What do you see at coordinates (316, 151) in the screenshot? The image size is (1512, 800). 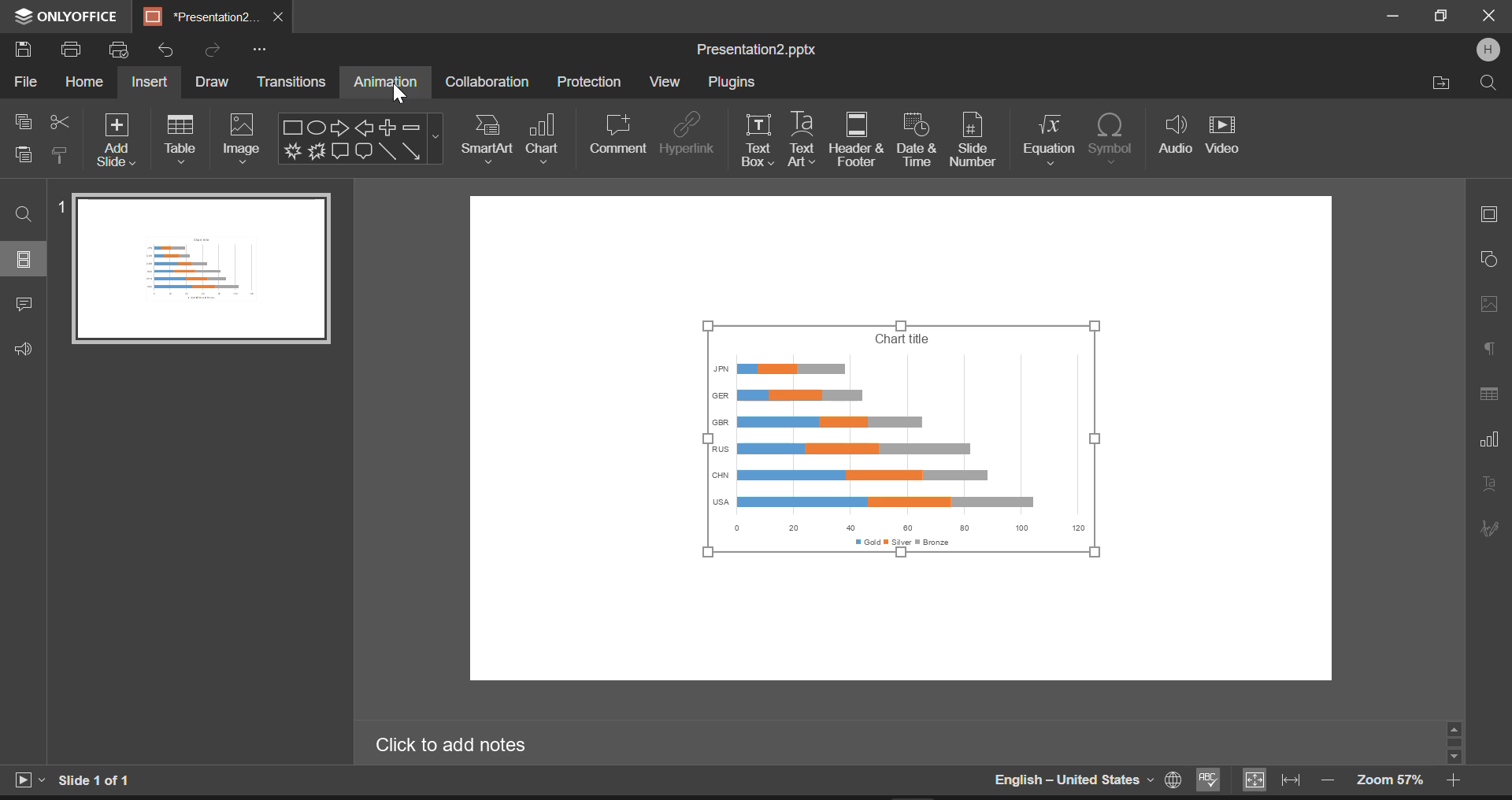 I see `Explosion 2` at bounding box center [316, 151].